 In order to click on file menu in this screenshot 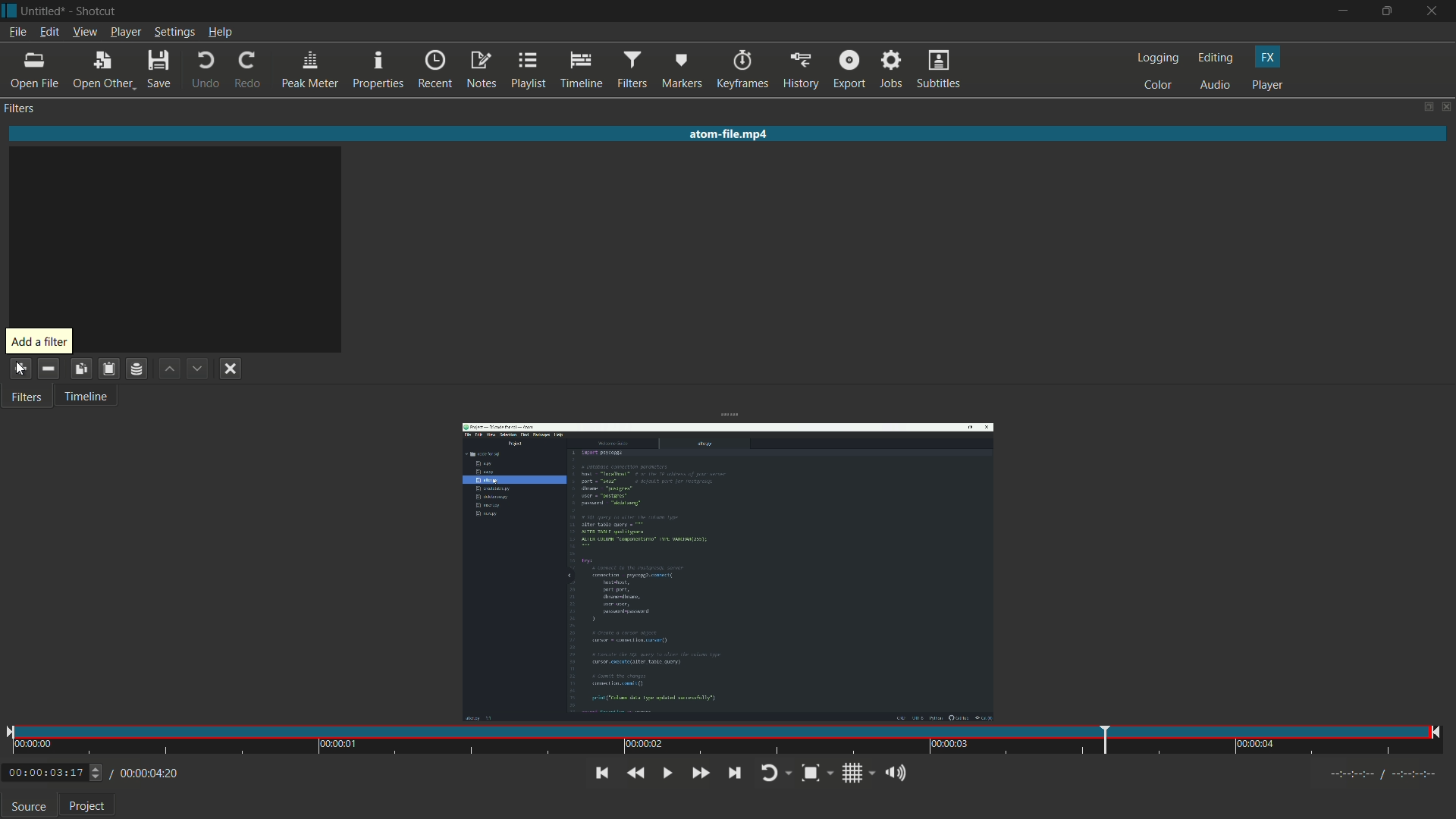, I will do `click(19, 33)`.